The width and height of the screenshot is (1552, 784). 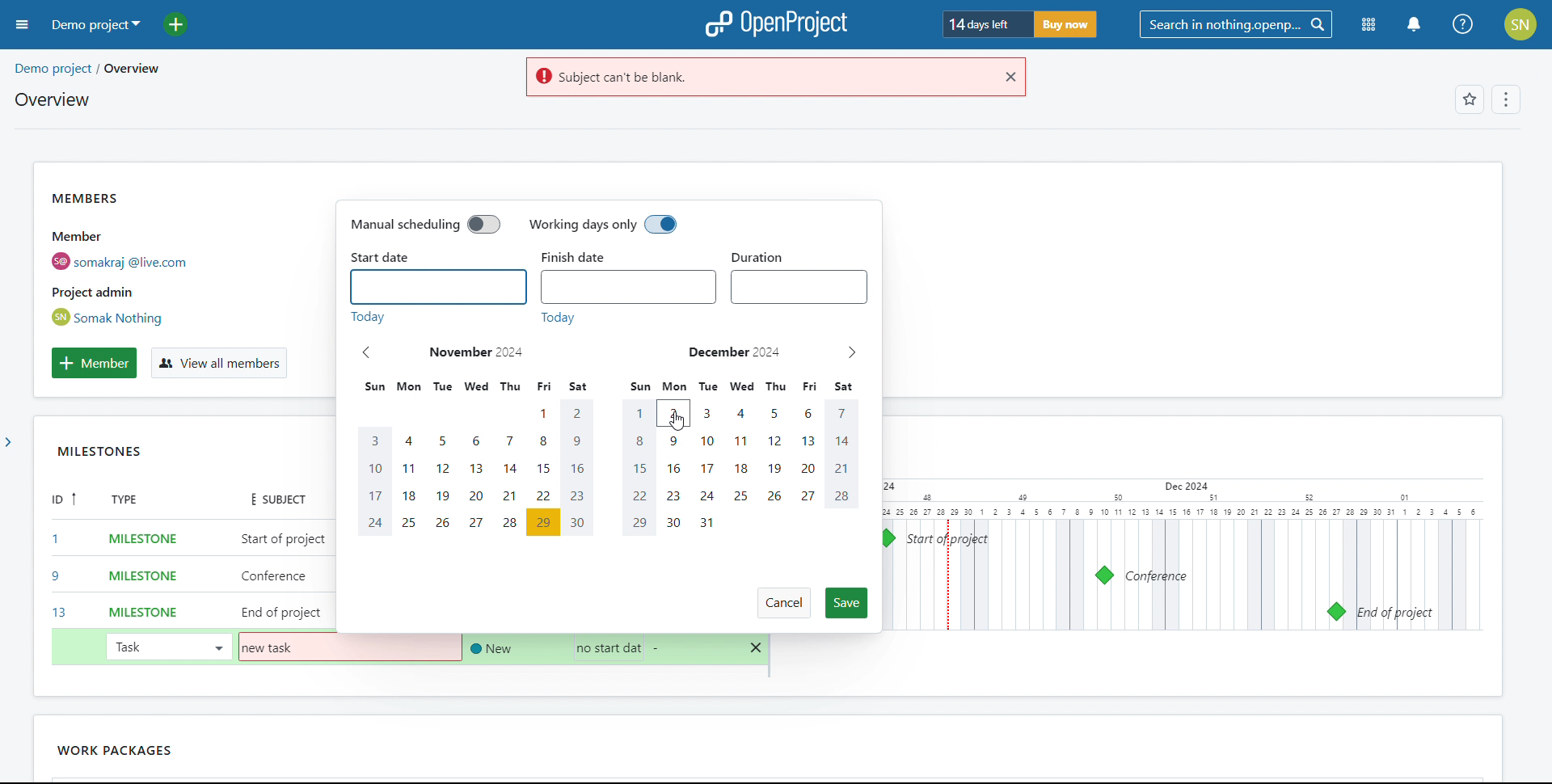 What do you see at coordinates (463, 318) in the screenshot?
I see `today` at bounding box center [463, 318].